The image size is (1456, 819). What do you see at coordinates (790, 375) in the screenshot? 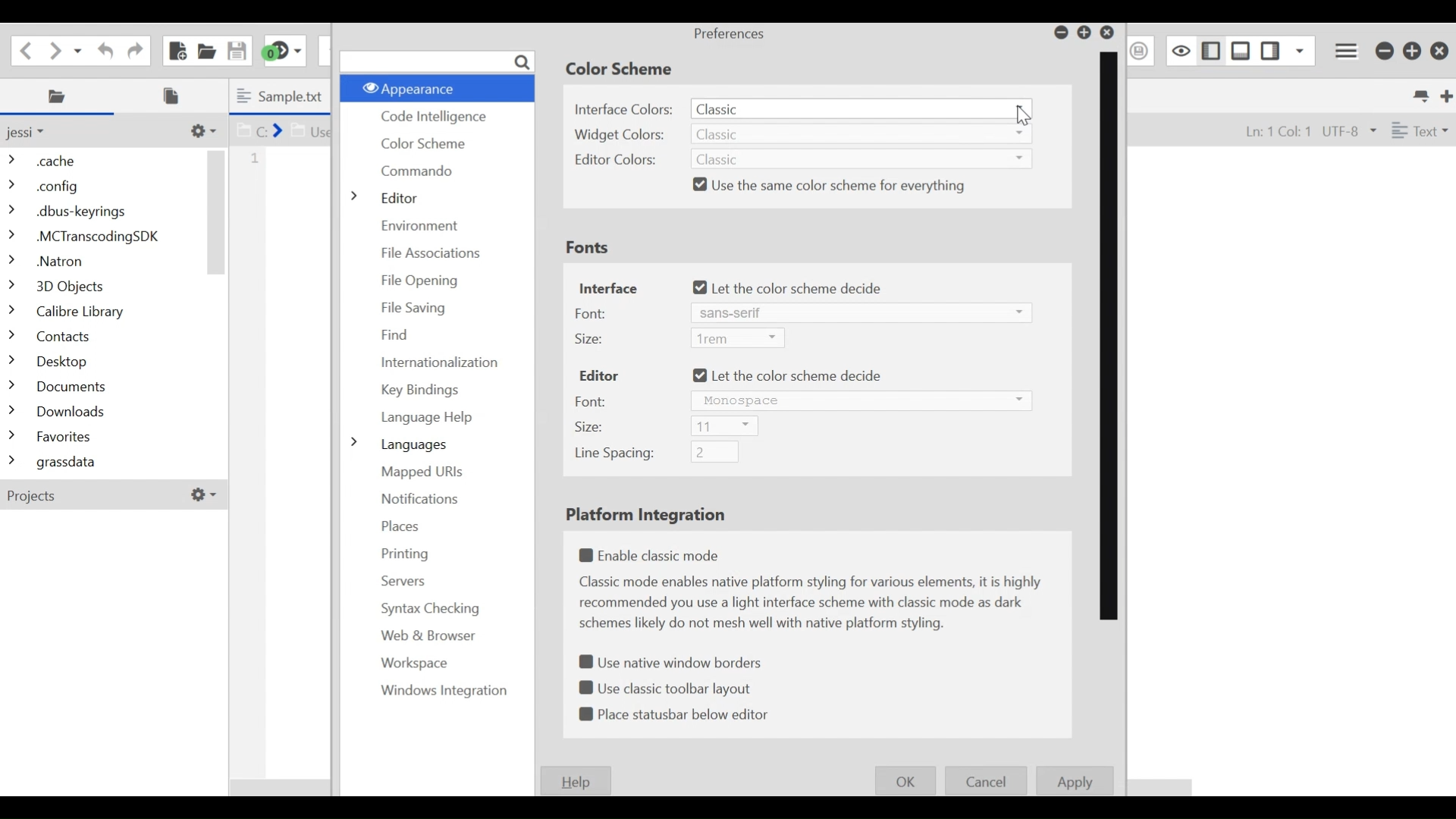
I see `(un)select Let the color scheme decide` at bounding box center [790, 375].